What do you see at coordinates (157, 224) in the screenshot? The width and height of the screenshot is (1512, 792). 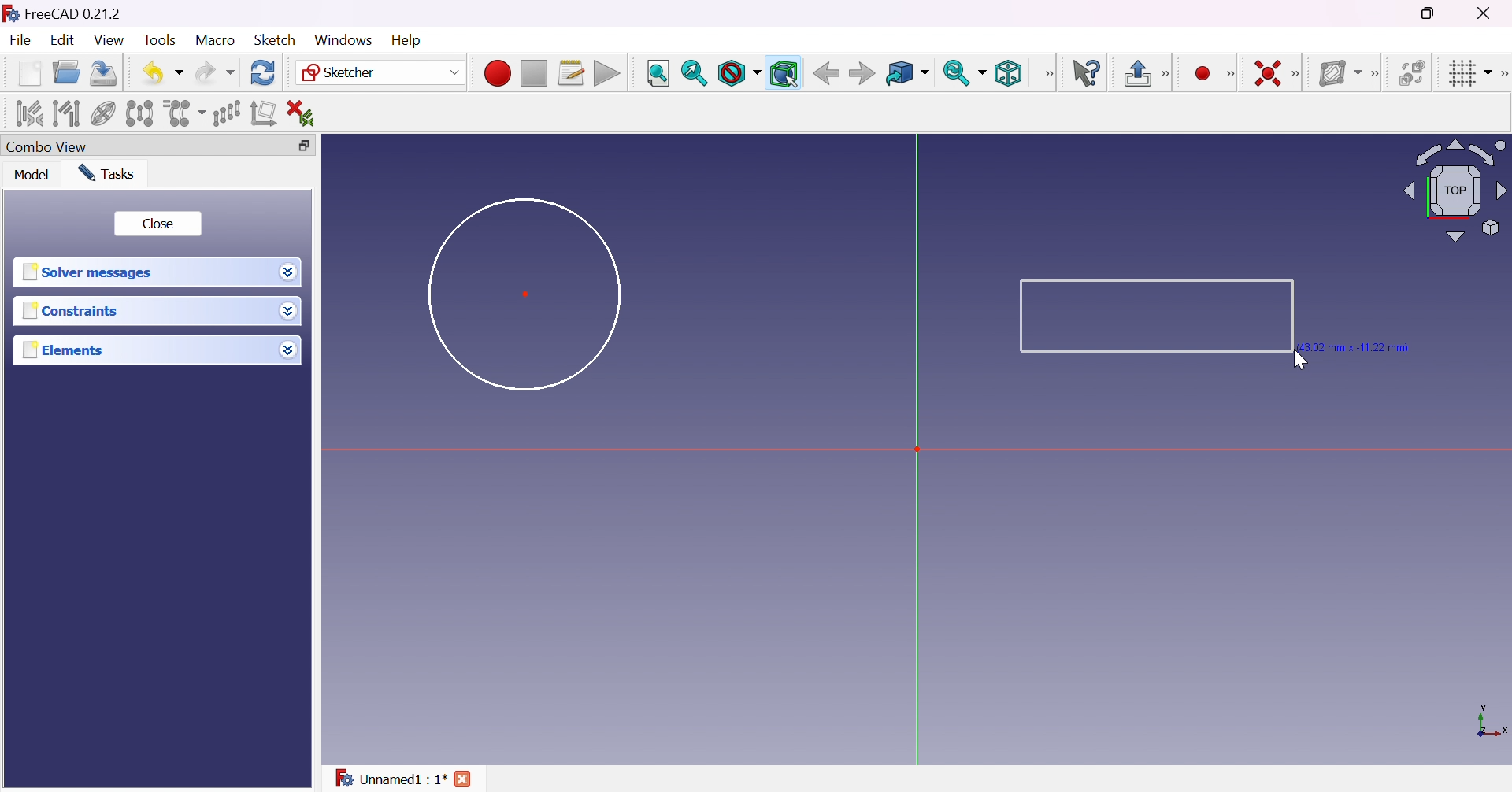 I see `Close` at bounding box center [157, 224].